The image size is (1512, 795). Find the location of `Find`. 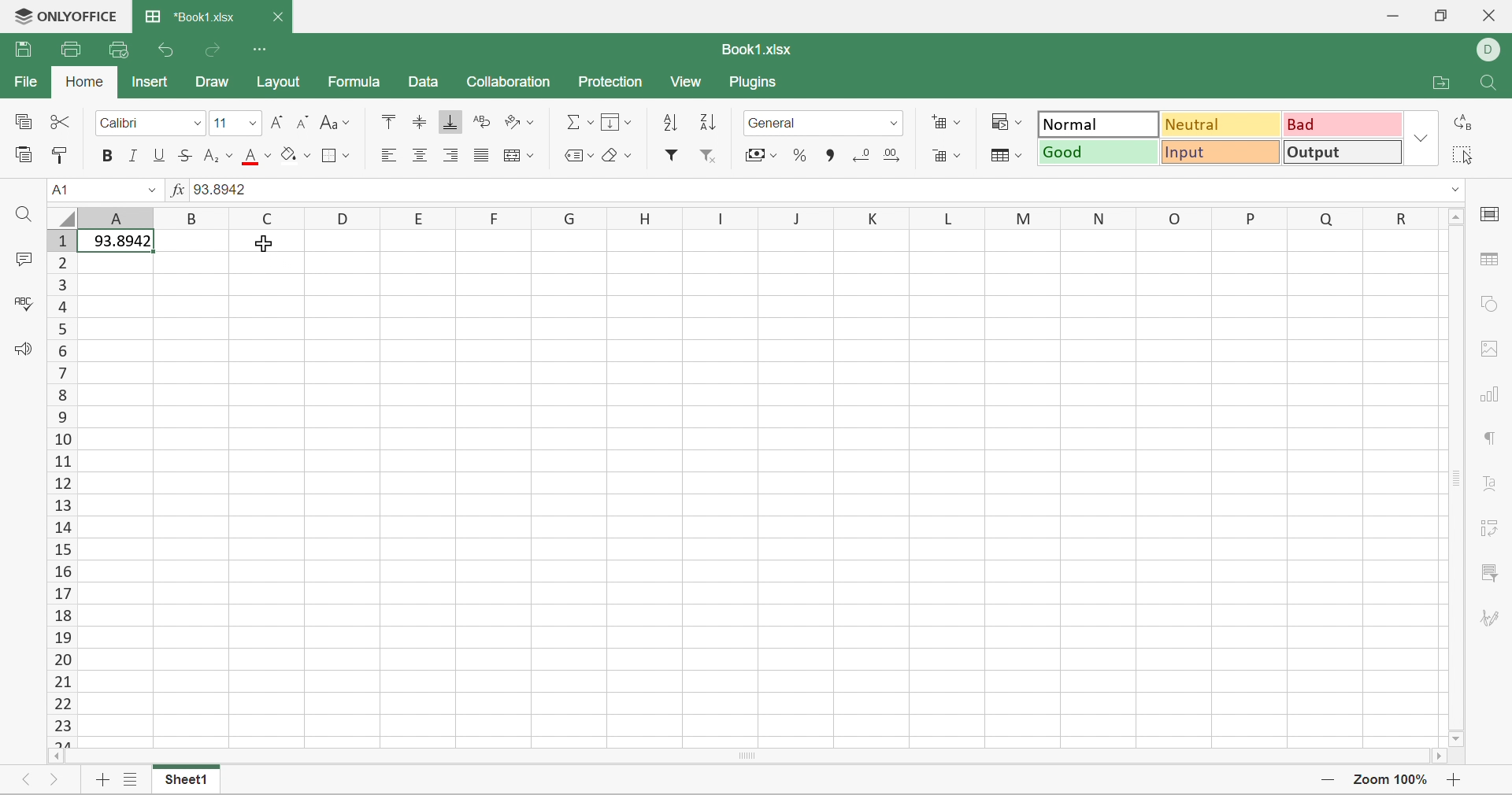

Find is located at coordinates (27, 218).